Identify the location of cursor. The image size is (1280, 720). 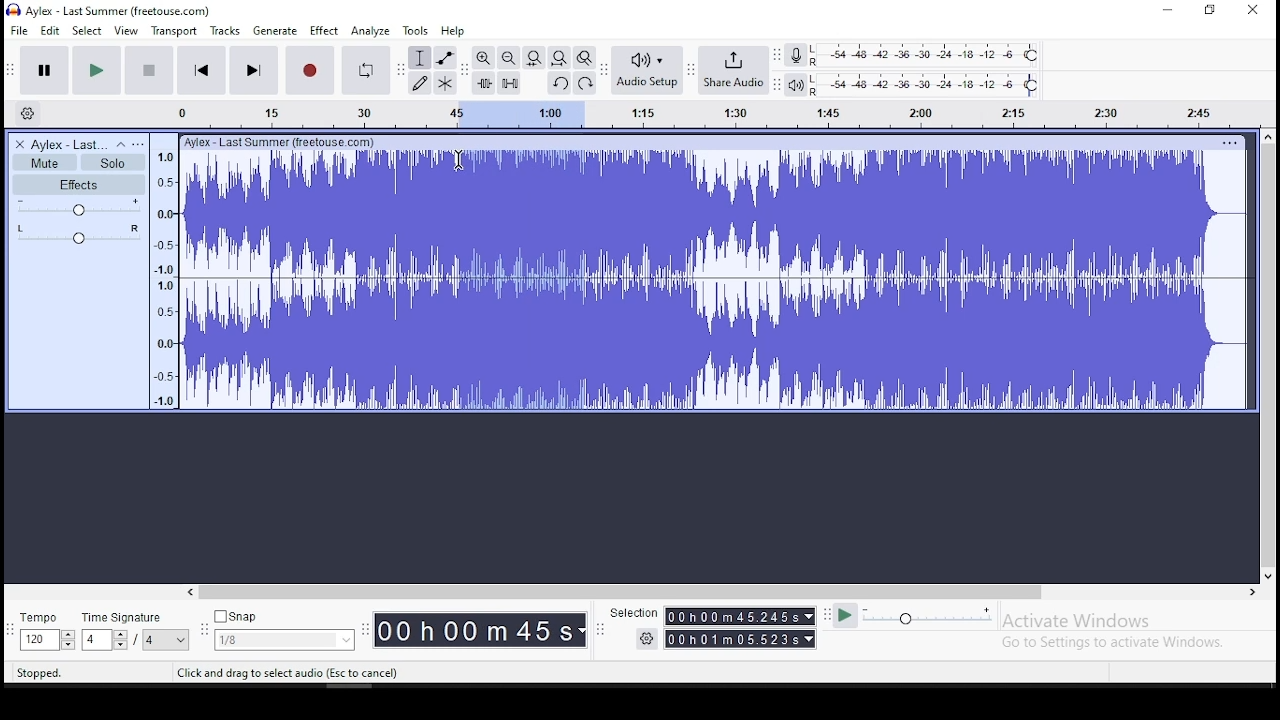
(460, 164).